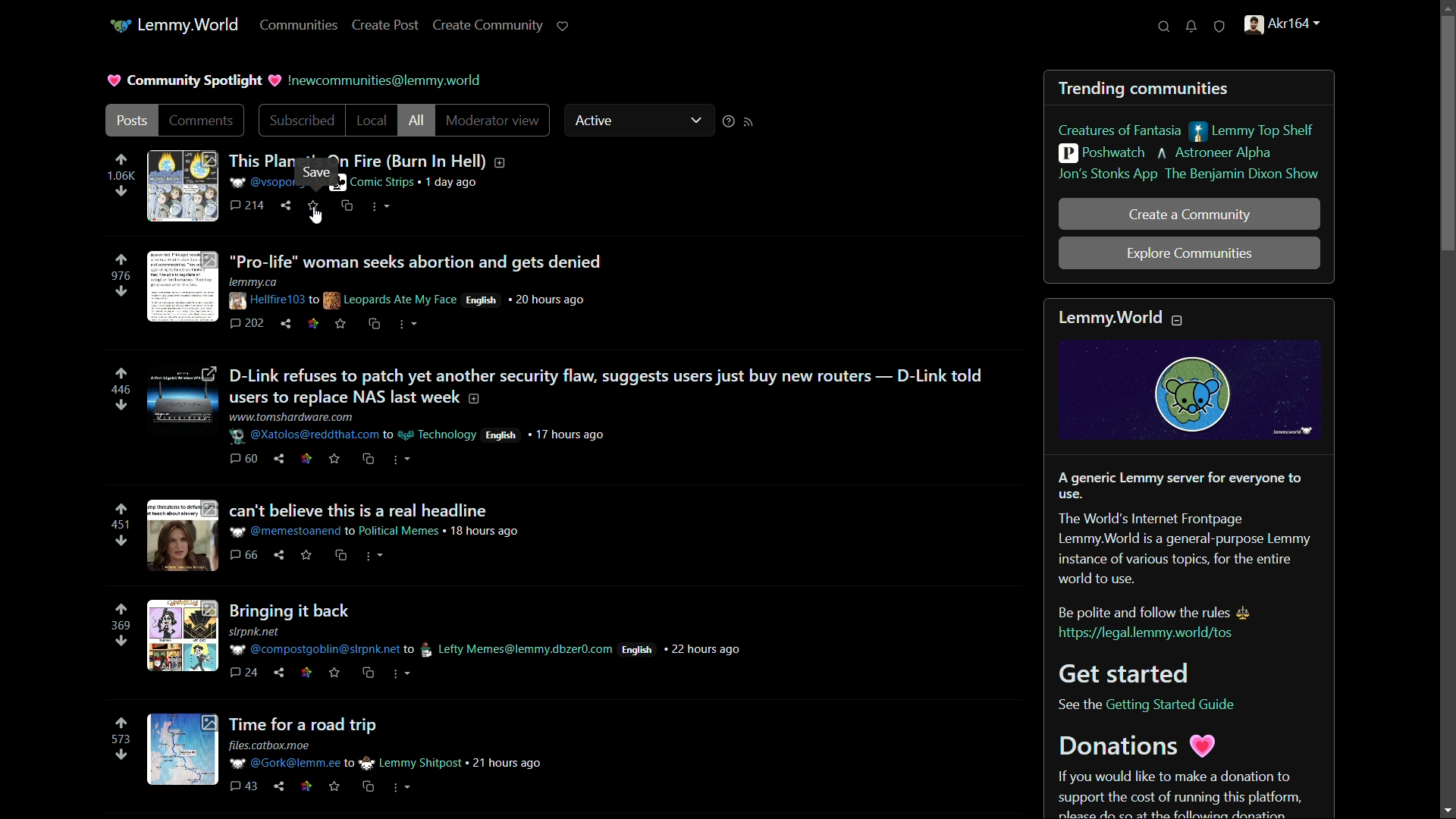 The image size is (1456, 819). Describe the element at coordinates (303, 121) in the screenshot. I see `subscribed` at that location.